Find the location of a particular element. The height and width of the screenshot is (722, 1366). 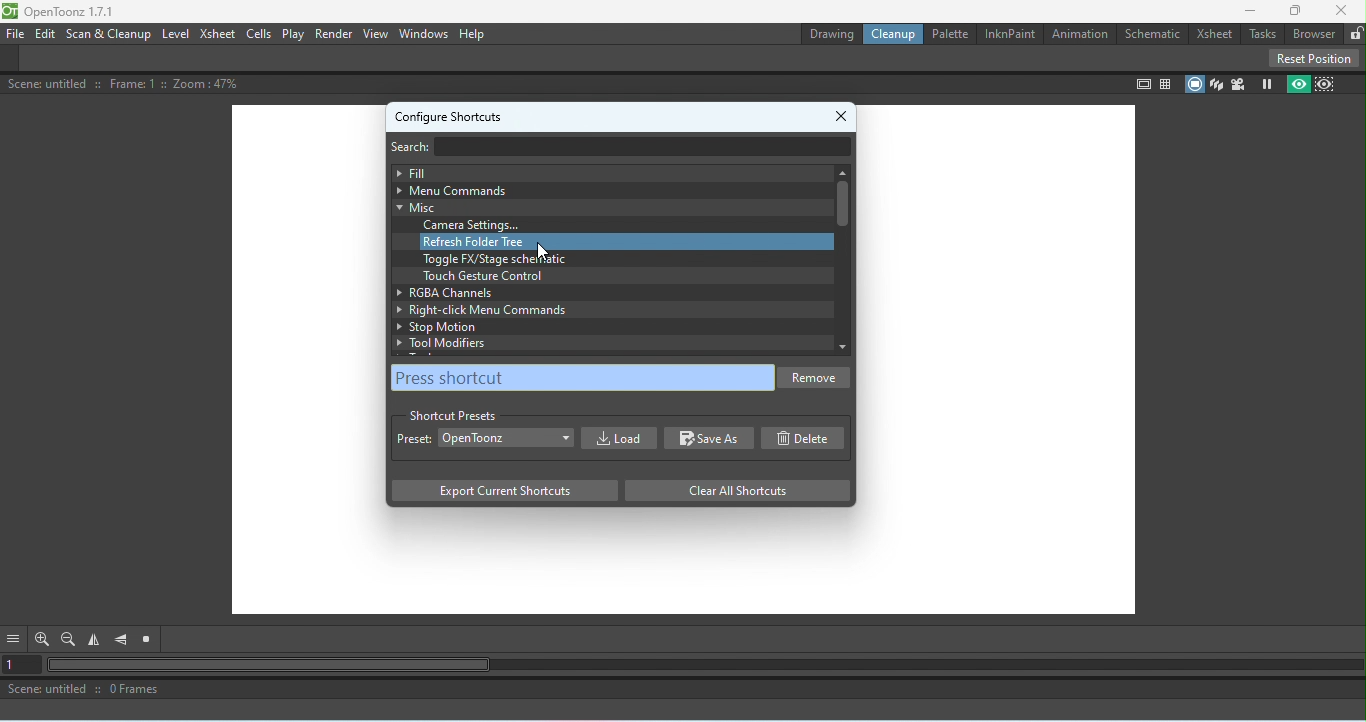

Close is located at coordinates (844, 112).